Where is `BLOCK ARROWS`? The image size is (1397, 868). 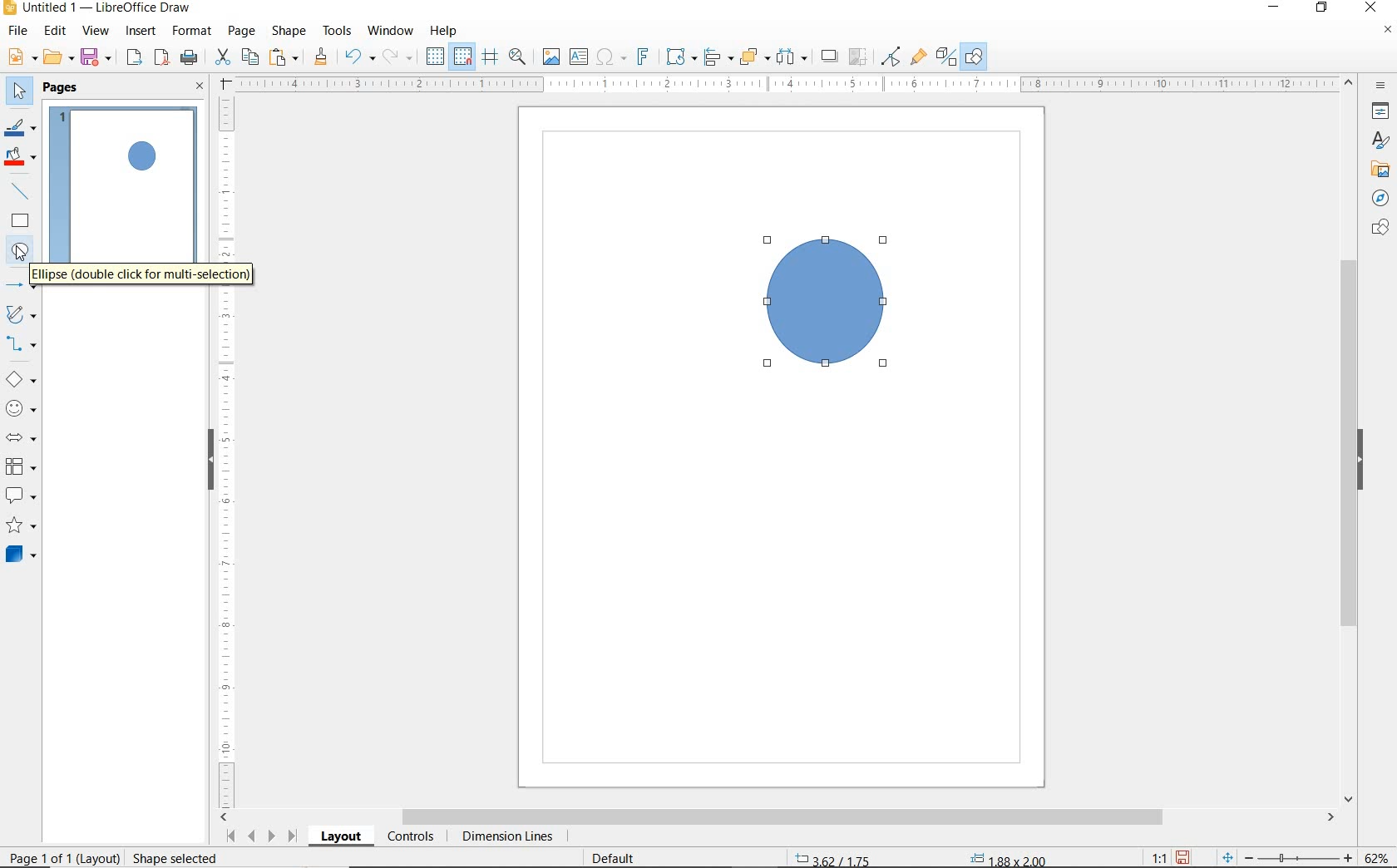
BLOCK ARROWS is located at coordinates (20, 435).